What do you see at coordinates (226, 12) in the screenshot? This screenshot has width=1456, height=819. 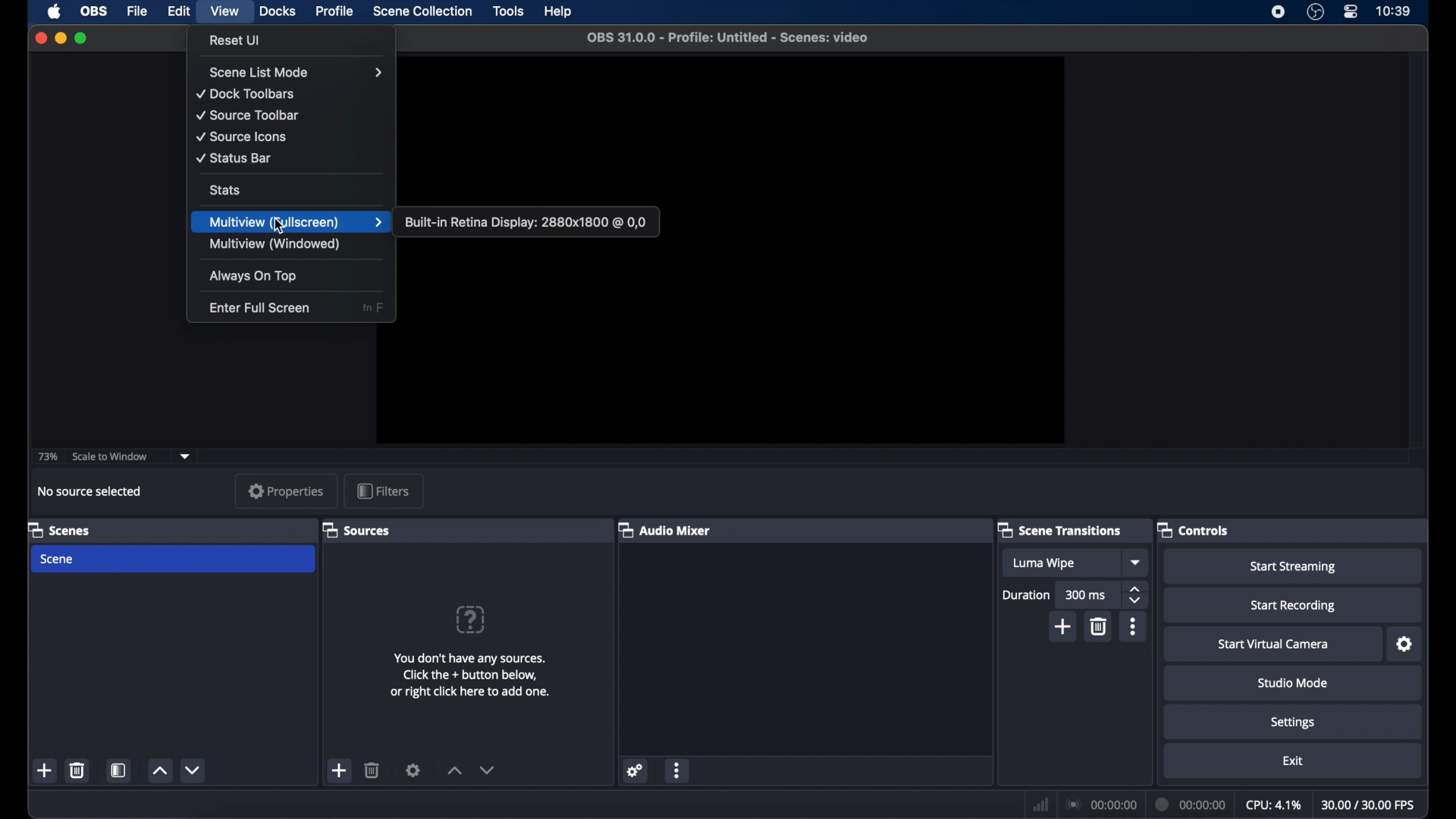 I see `view` at bounding box center [226, 12].